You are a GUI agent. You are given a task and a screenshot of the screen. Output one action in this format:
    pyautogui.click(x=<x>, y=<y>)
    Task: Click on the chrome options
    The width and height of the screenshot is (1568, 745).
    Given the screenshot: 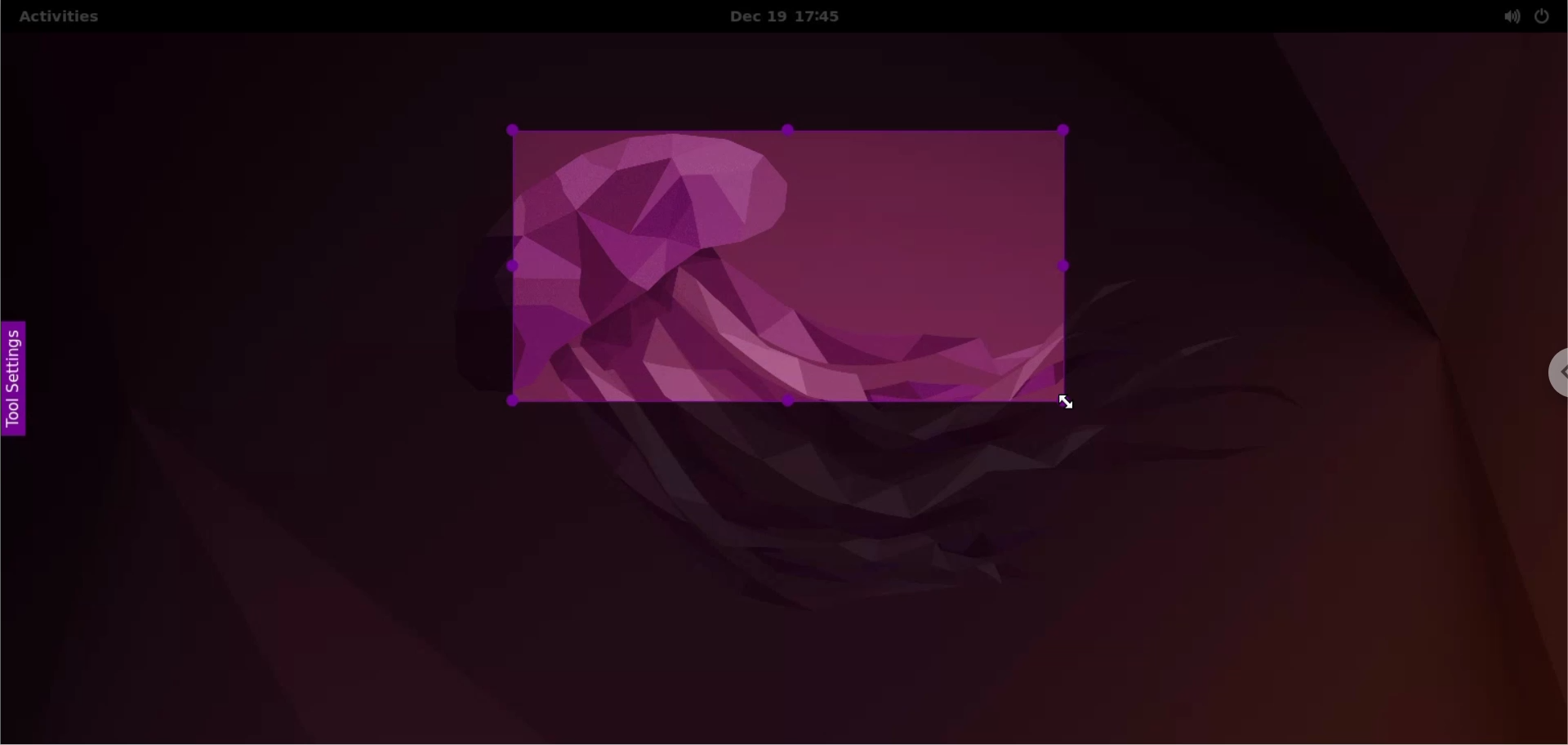 What is the action you would take?
    pyautogui.click(x=1548, y=377)
    